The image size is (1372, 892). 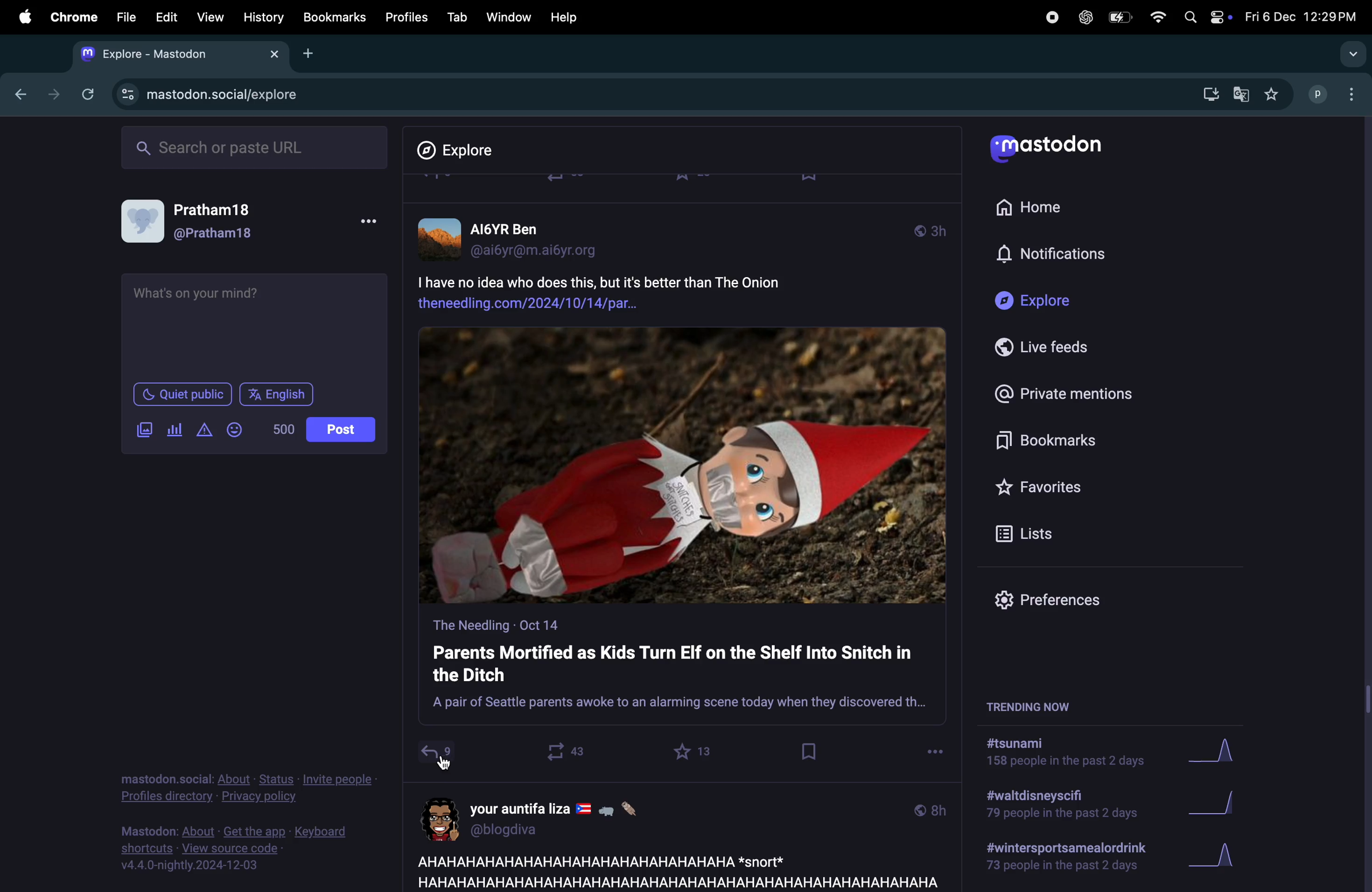 I want to click on user profile, so click(x=518, y=237).